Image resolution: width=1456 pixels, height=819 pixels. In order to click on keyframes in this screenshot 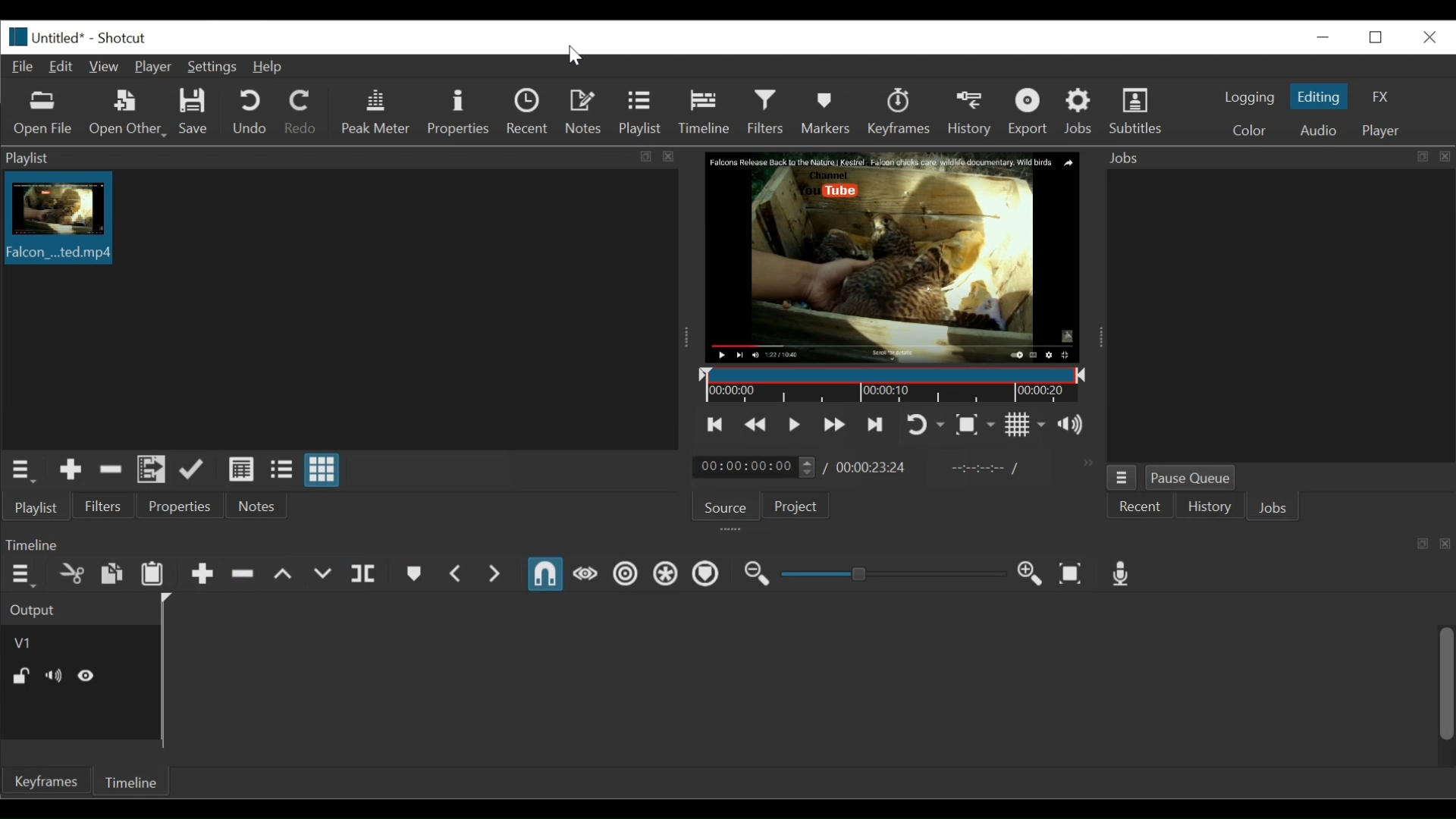, I will do `click(47, 783)`.